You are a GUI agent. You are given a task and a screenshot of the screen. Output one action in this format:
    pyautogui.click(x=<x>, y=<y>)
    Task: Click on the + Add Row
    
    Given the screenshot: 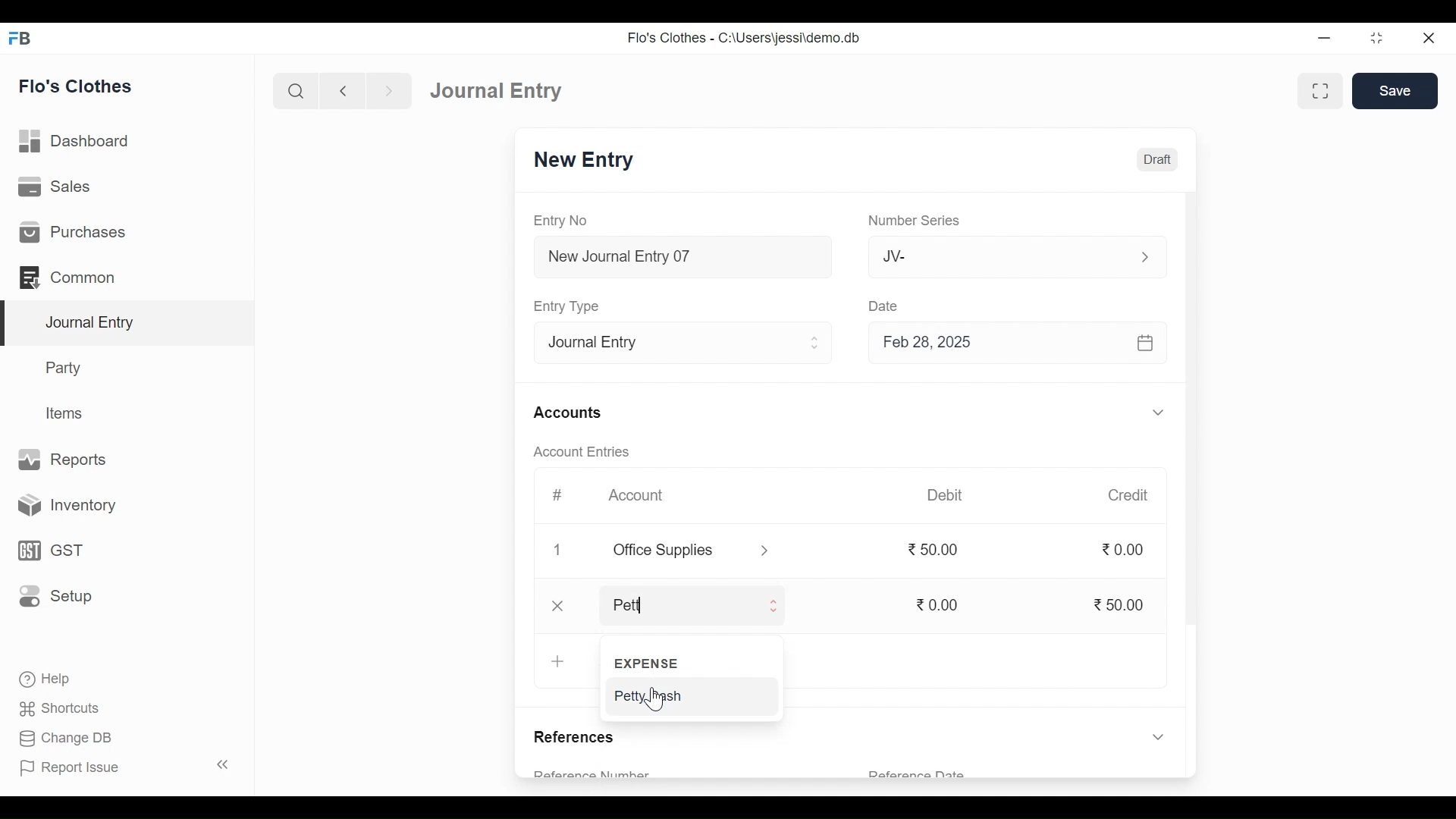 What is the action you would take?
    pyautogui.click(x=560, y=661)
    